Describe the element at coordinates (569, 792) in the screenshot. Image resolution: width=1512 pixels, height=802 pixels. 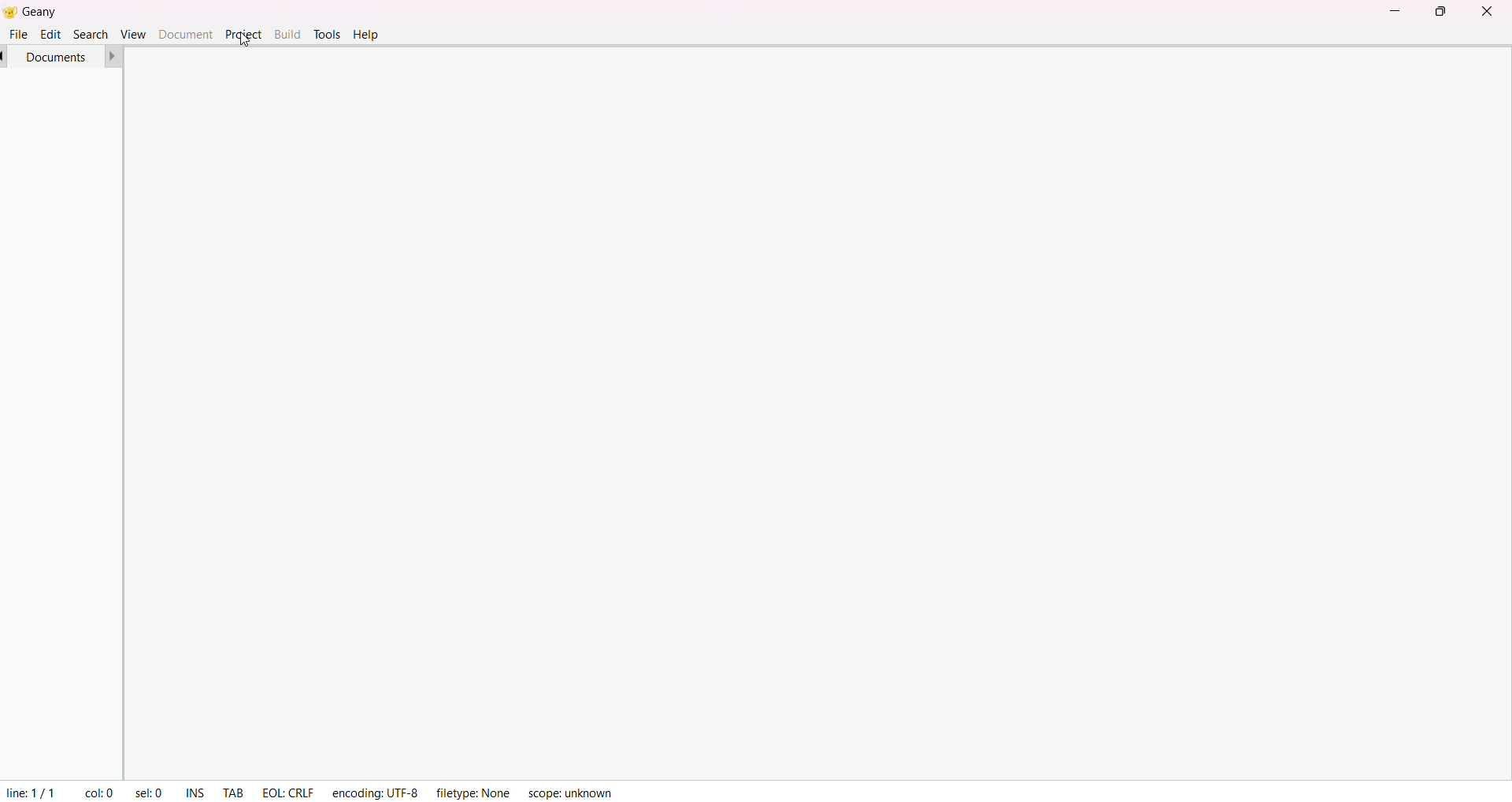
I see `scope: unknown` at that location.